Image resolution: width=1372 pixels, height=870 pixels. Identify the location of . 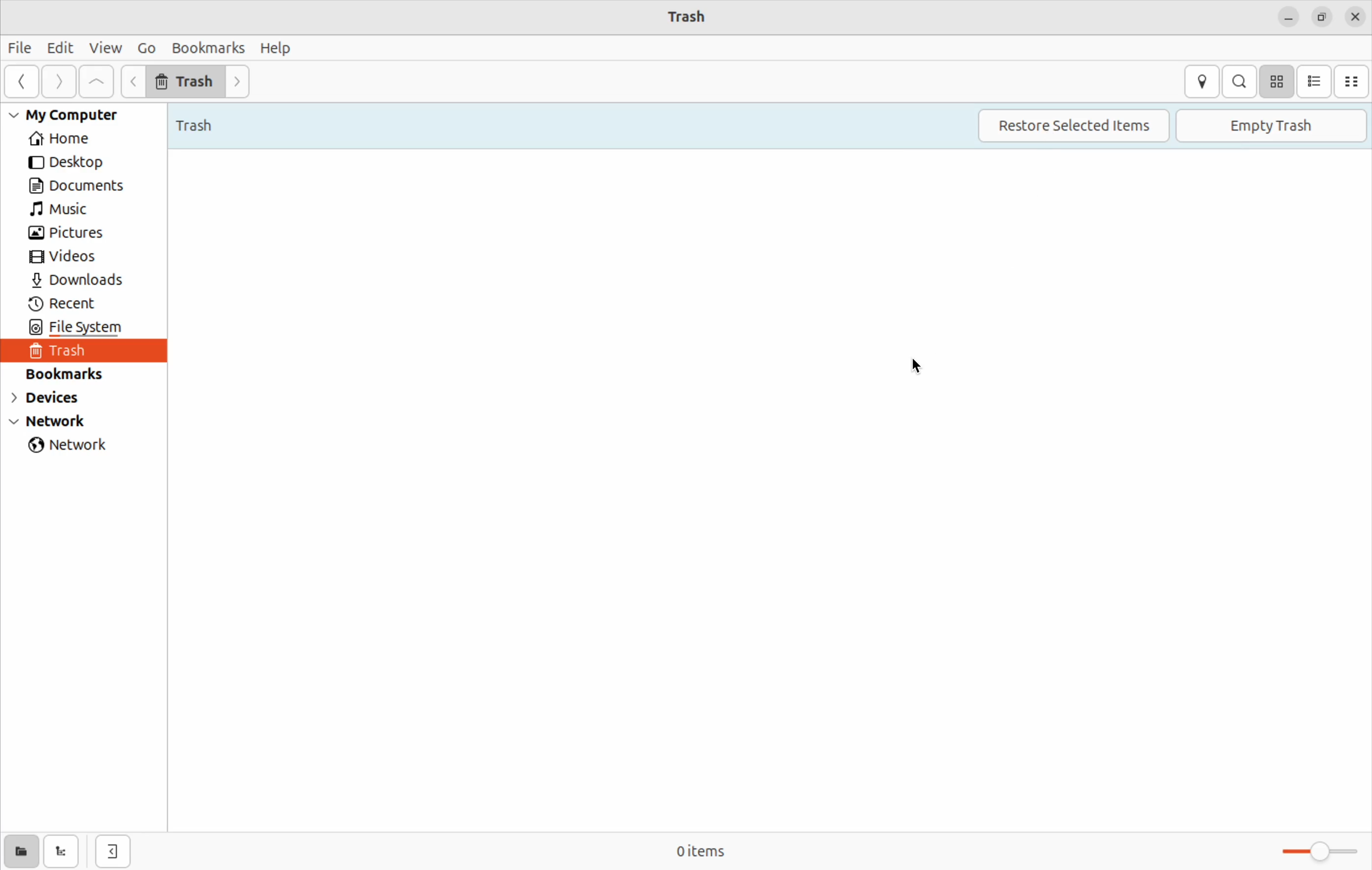
(134, 81).